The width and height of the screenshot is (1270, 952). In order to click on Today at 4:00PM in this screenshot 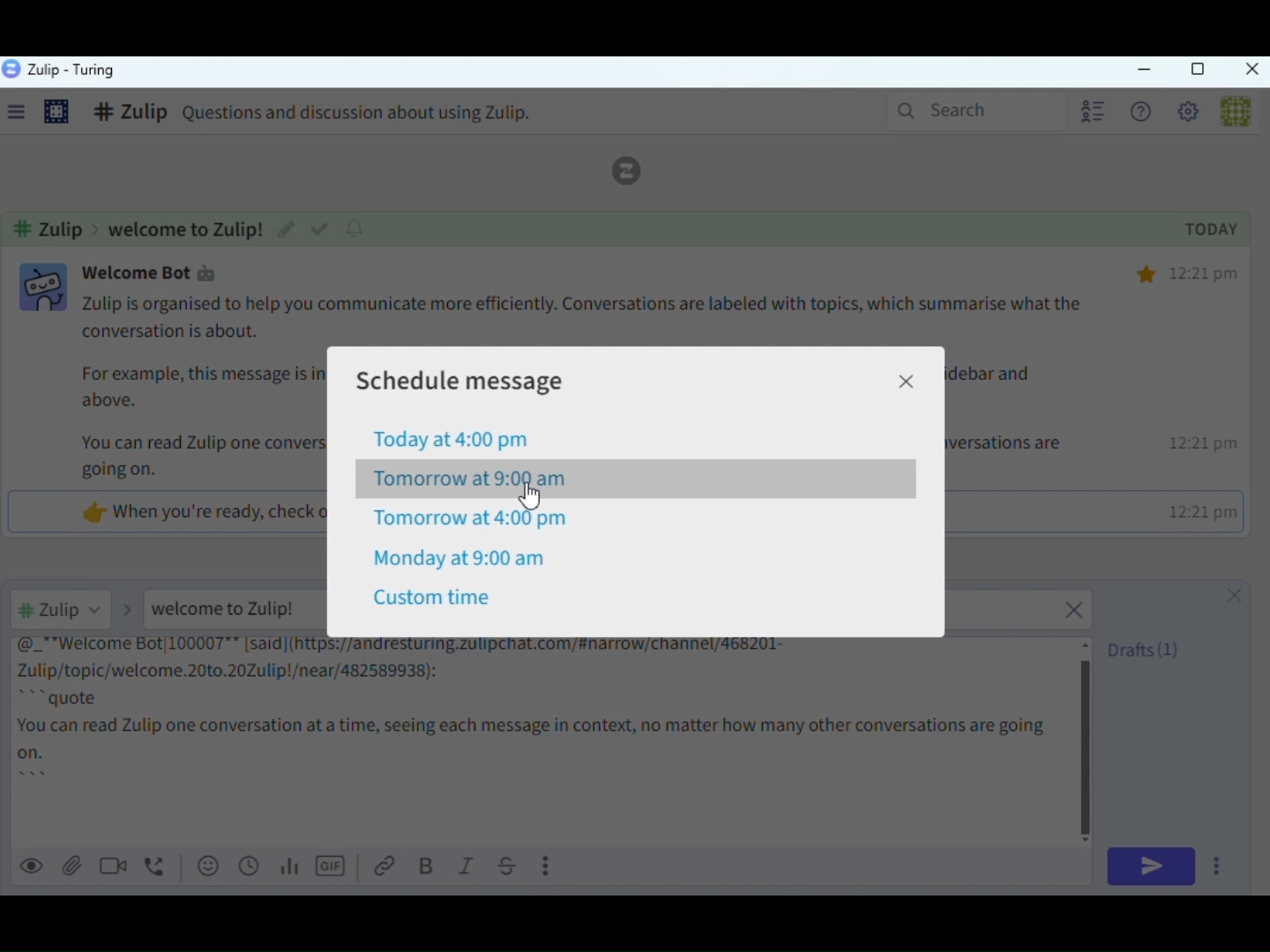, I will do `click(454, 440)`.